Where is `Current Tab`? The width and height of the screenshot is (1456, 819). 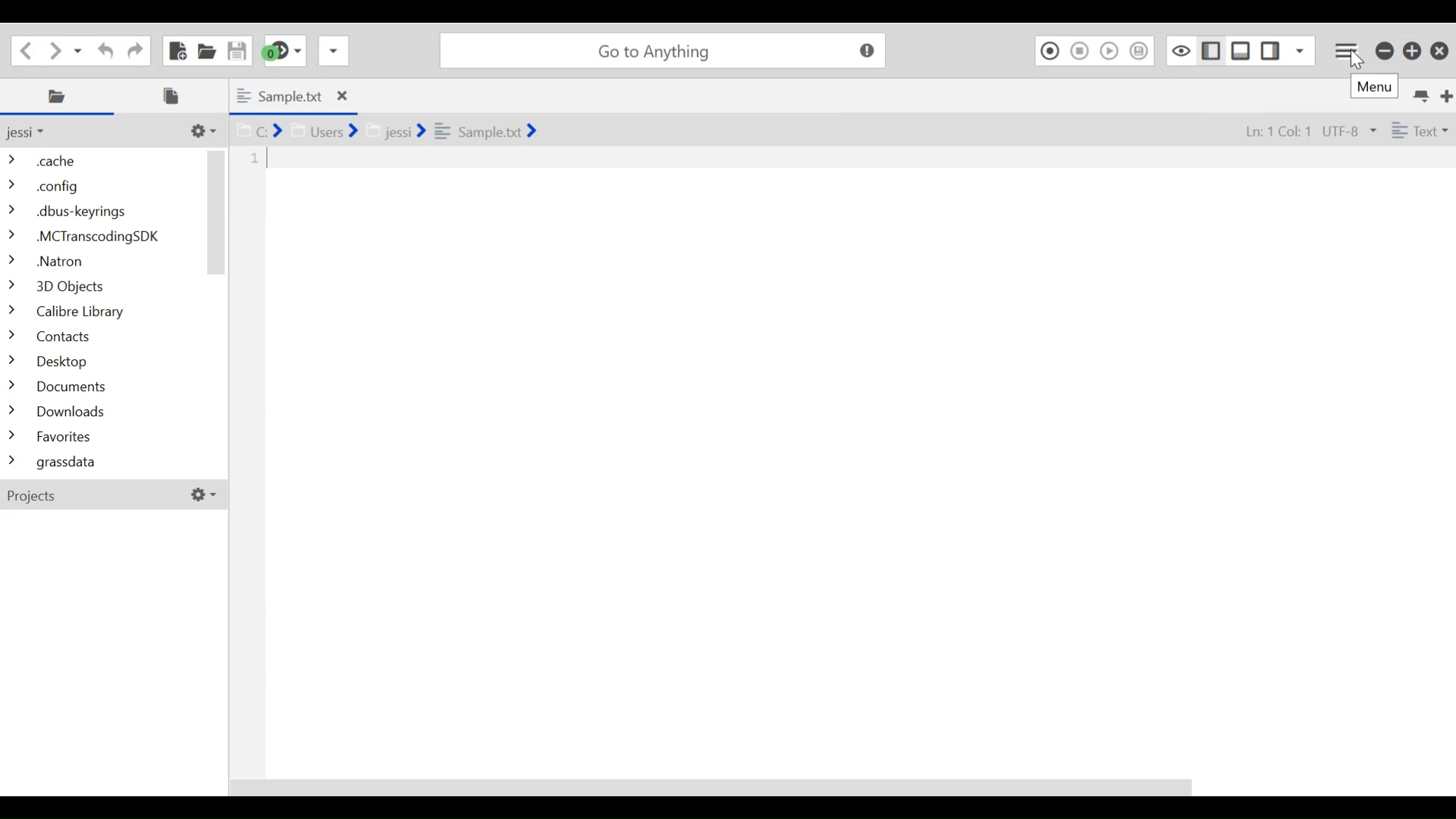
Current Tab is located at coordinates (292, 96).